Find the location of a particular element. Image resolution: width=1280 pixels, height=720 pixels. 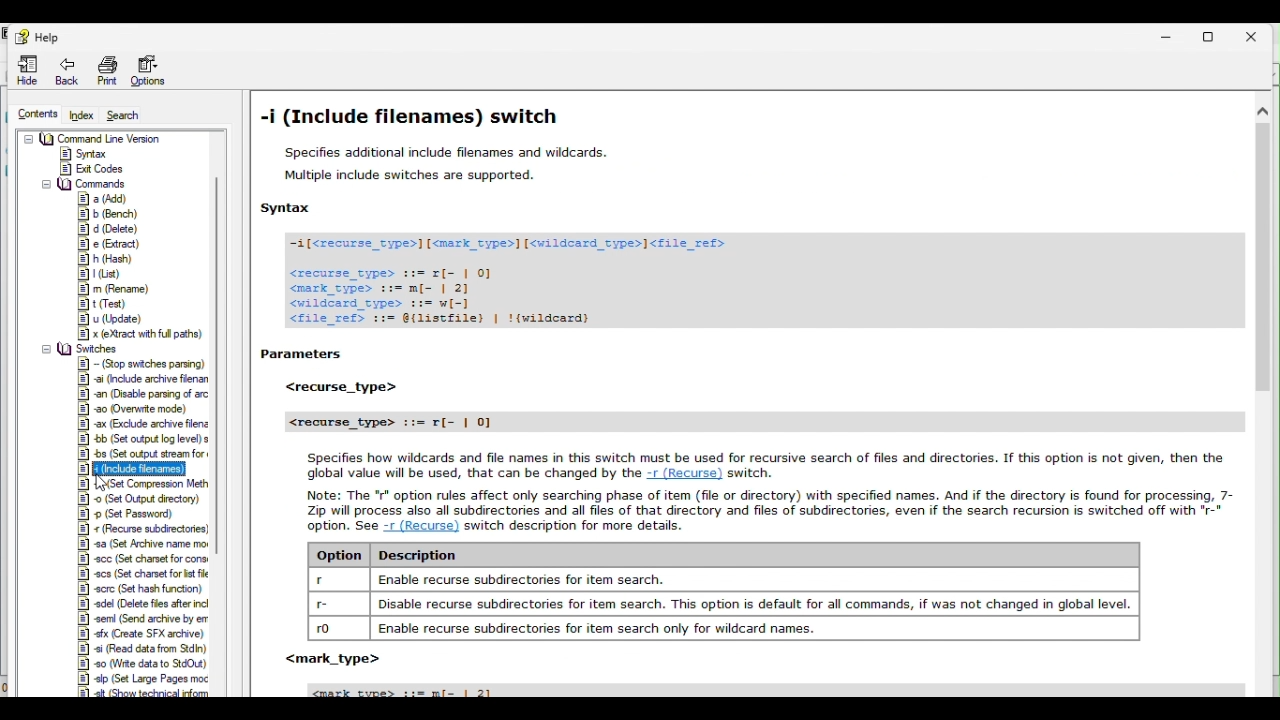

Cursor is located at coordinates (106, 483).